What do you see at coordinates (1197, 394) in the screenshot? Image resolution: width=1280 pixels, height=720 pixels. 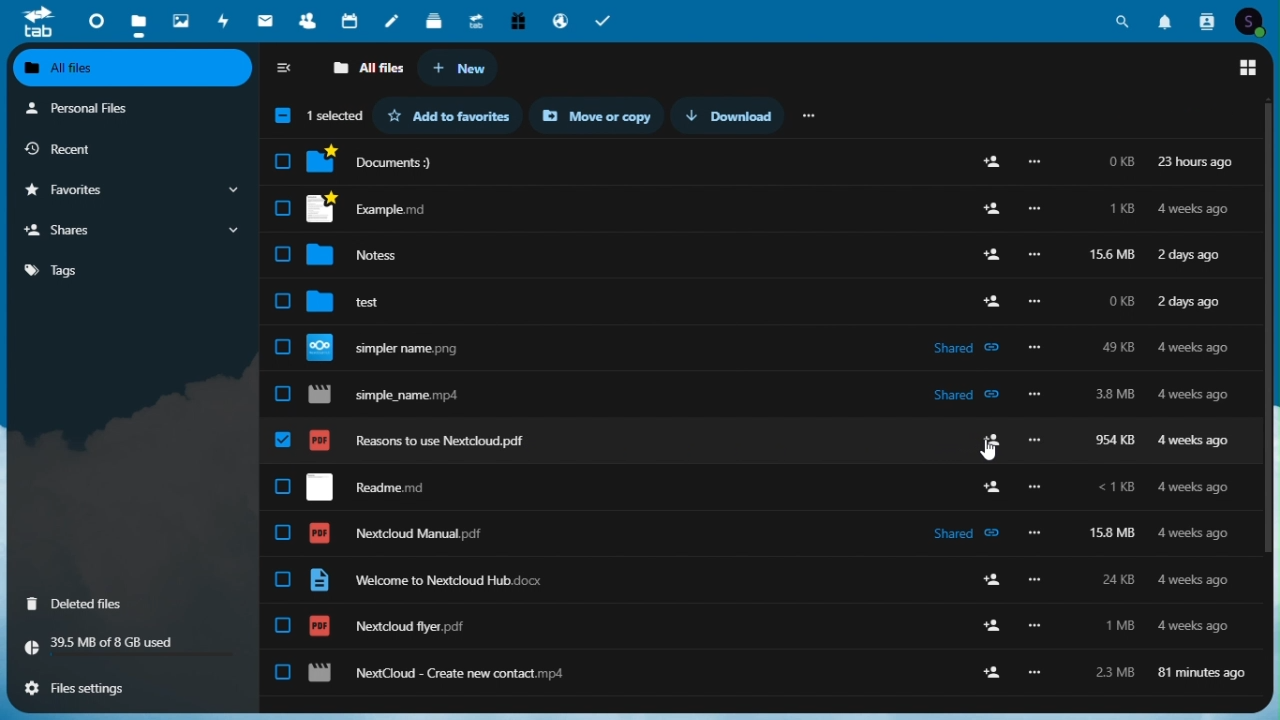 I see `4 weeks ago` at bounding box center [1197, 394].